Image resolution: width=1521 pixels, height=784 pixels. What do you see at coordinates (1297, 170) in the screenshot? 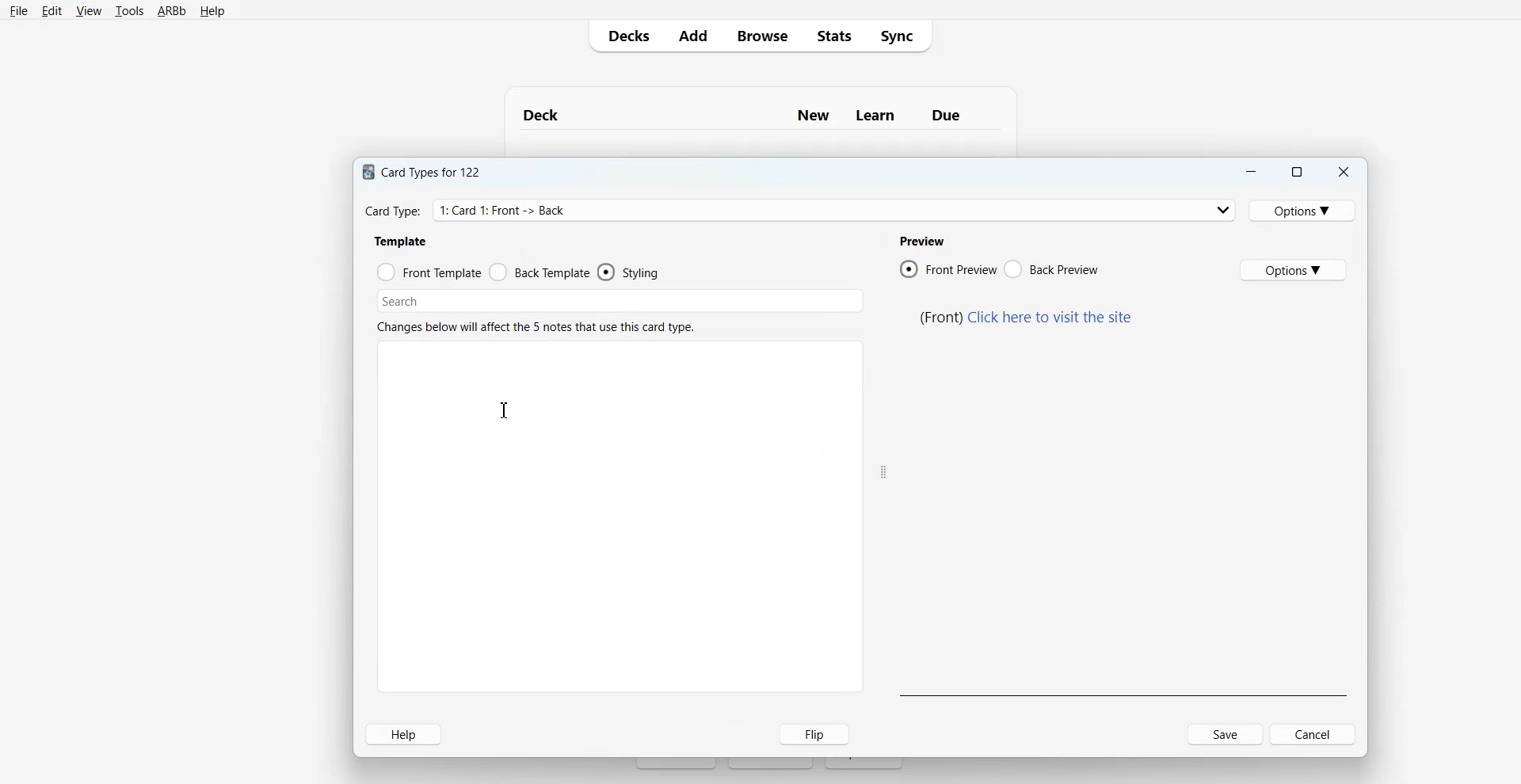
I see `Maximize` at bounding box center [1297, 170].